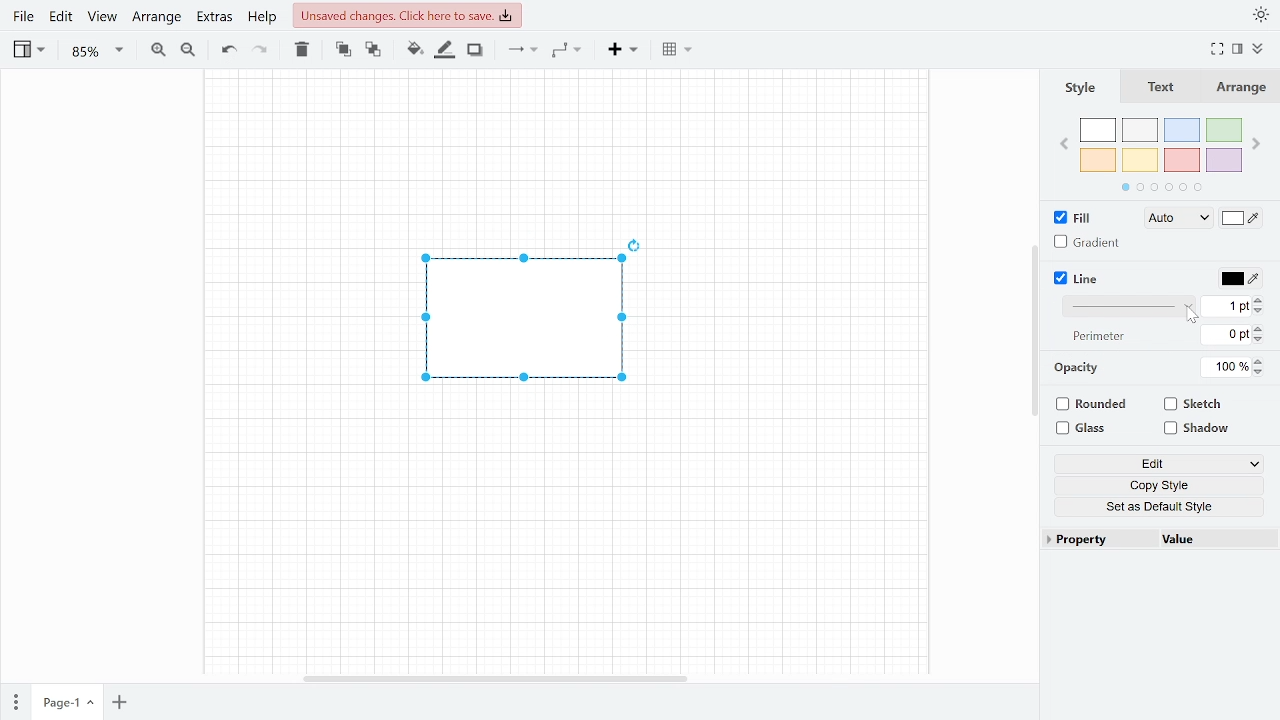 Image resolution: width=1280 pixels, height=720 pixels. What do you see at coordinates (1090, 243) in the screenshot?
I see `Gradient` at bounding box center [1090, 243].